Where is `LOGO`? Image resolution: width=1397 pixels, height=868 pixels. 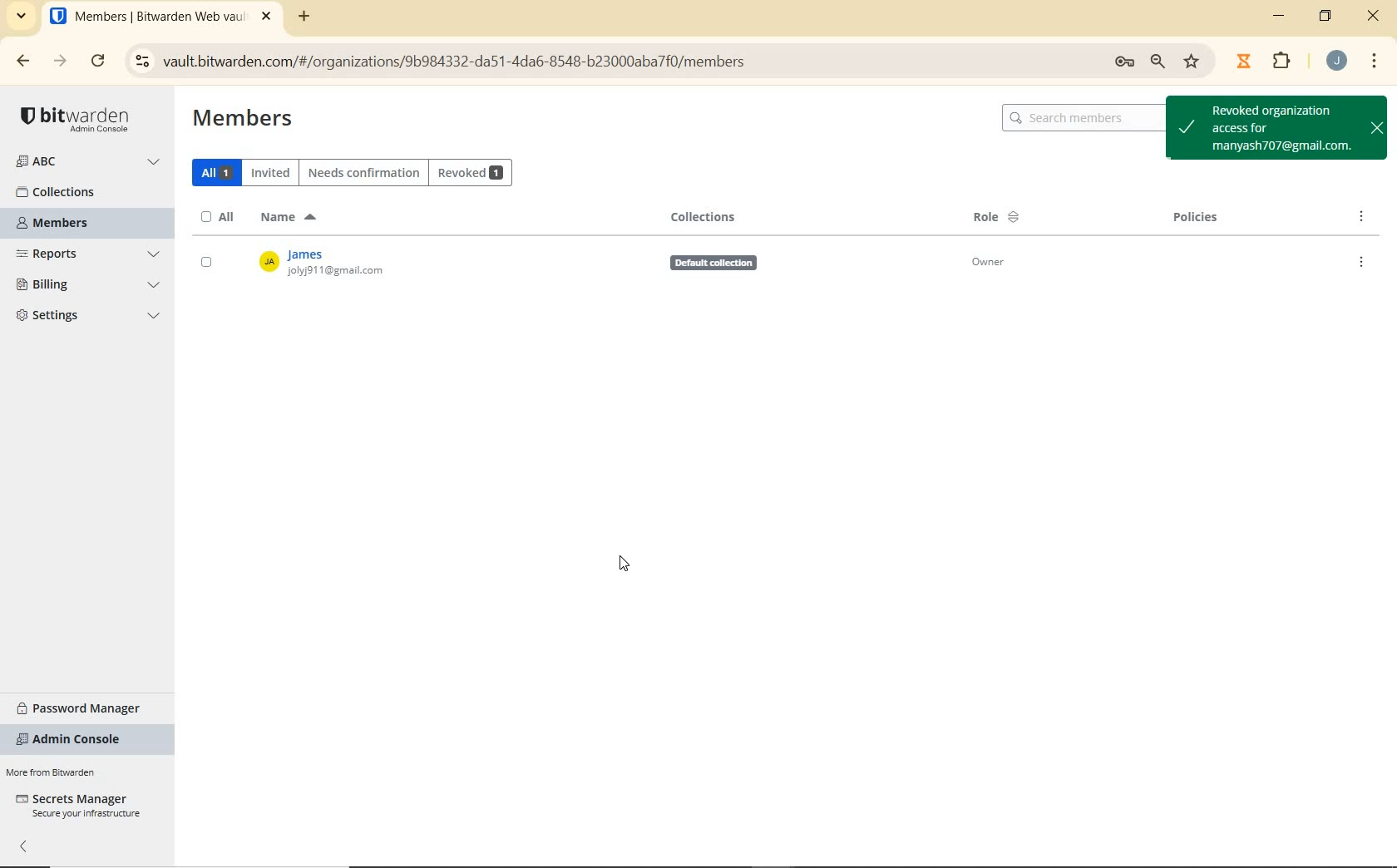
LOGO is located at coordinates (79, 118).